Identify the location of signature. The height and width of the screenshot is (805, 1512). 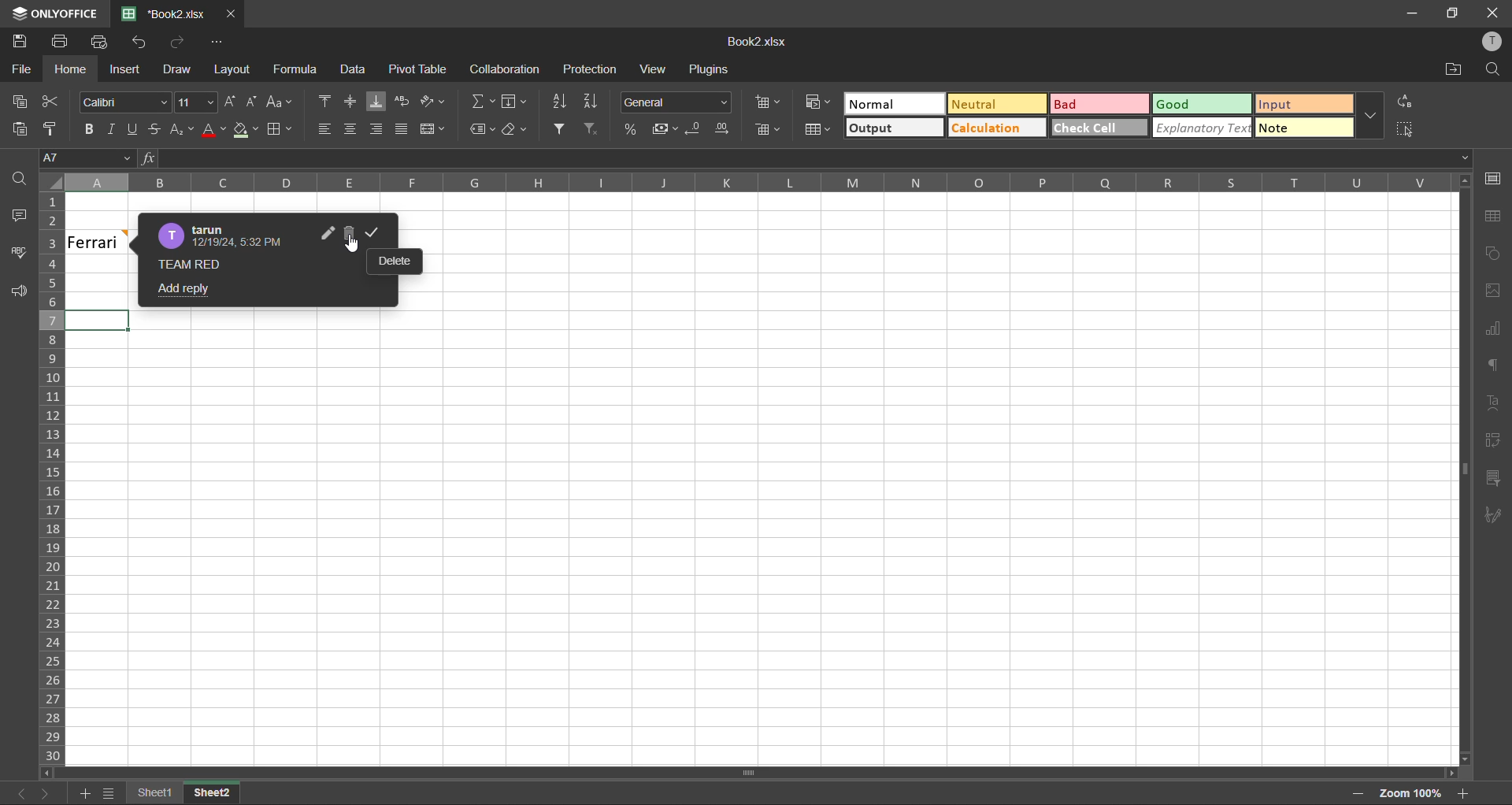
(1493, 513).